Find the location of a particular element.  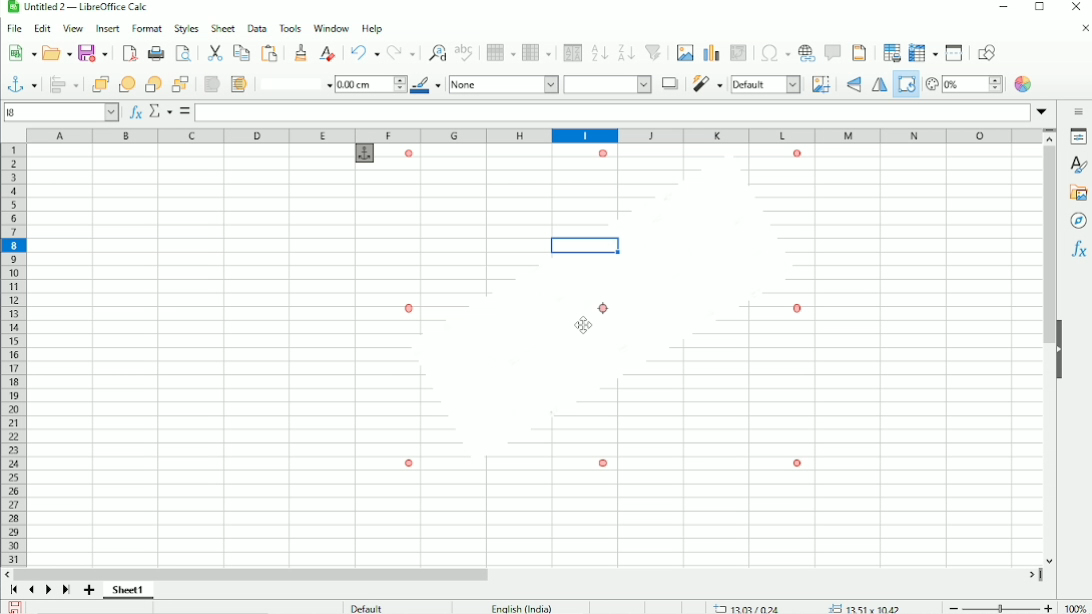

Properties is located at coordinates (1076, 137).